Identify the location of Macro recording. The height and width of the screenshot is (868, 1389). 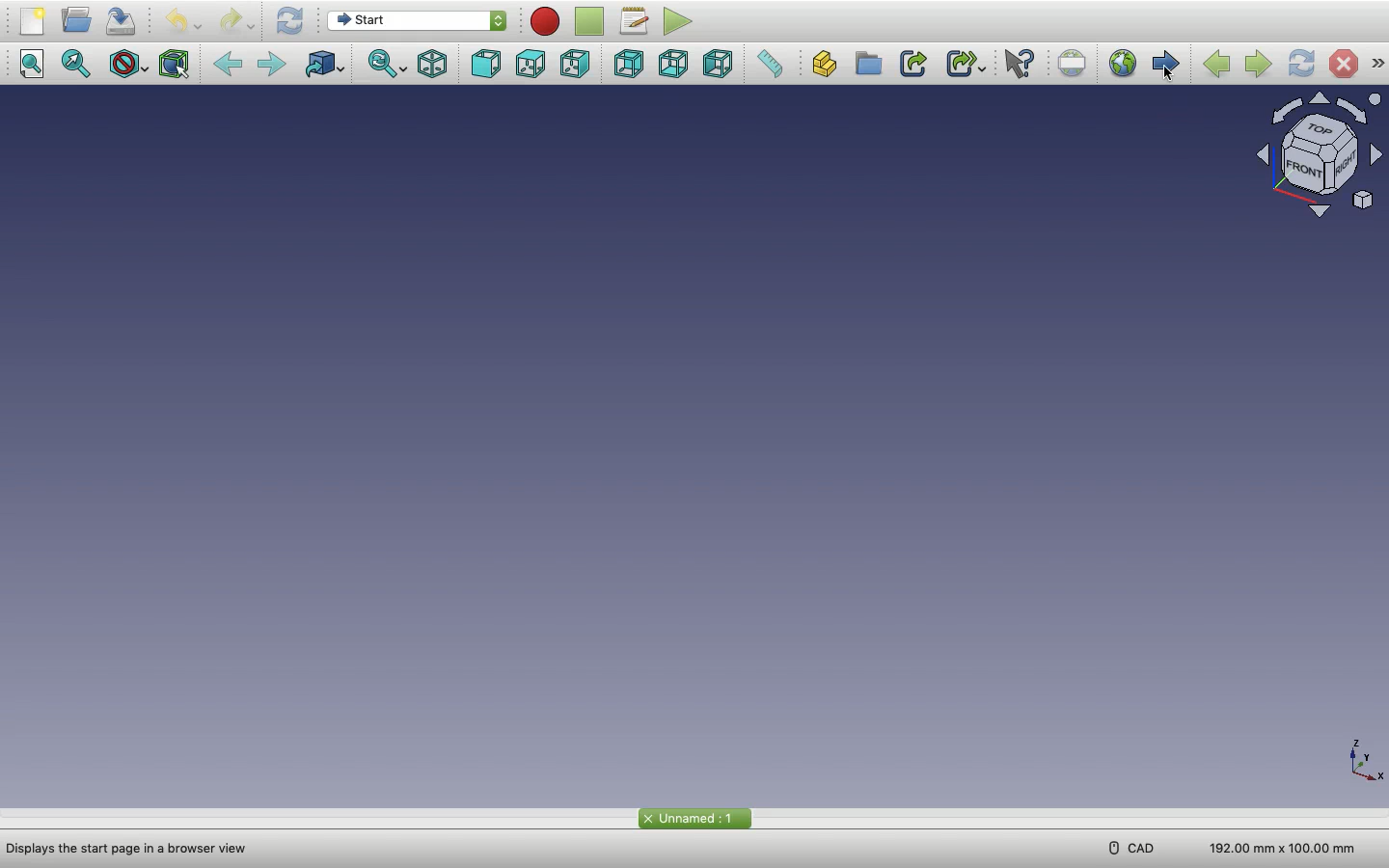
(547, 21).